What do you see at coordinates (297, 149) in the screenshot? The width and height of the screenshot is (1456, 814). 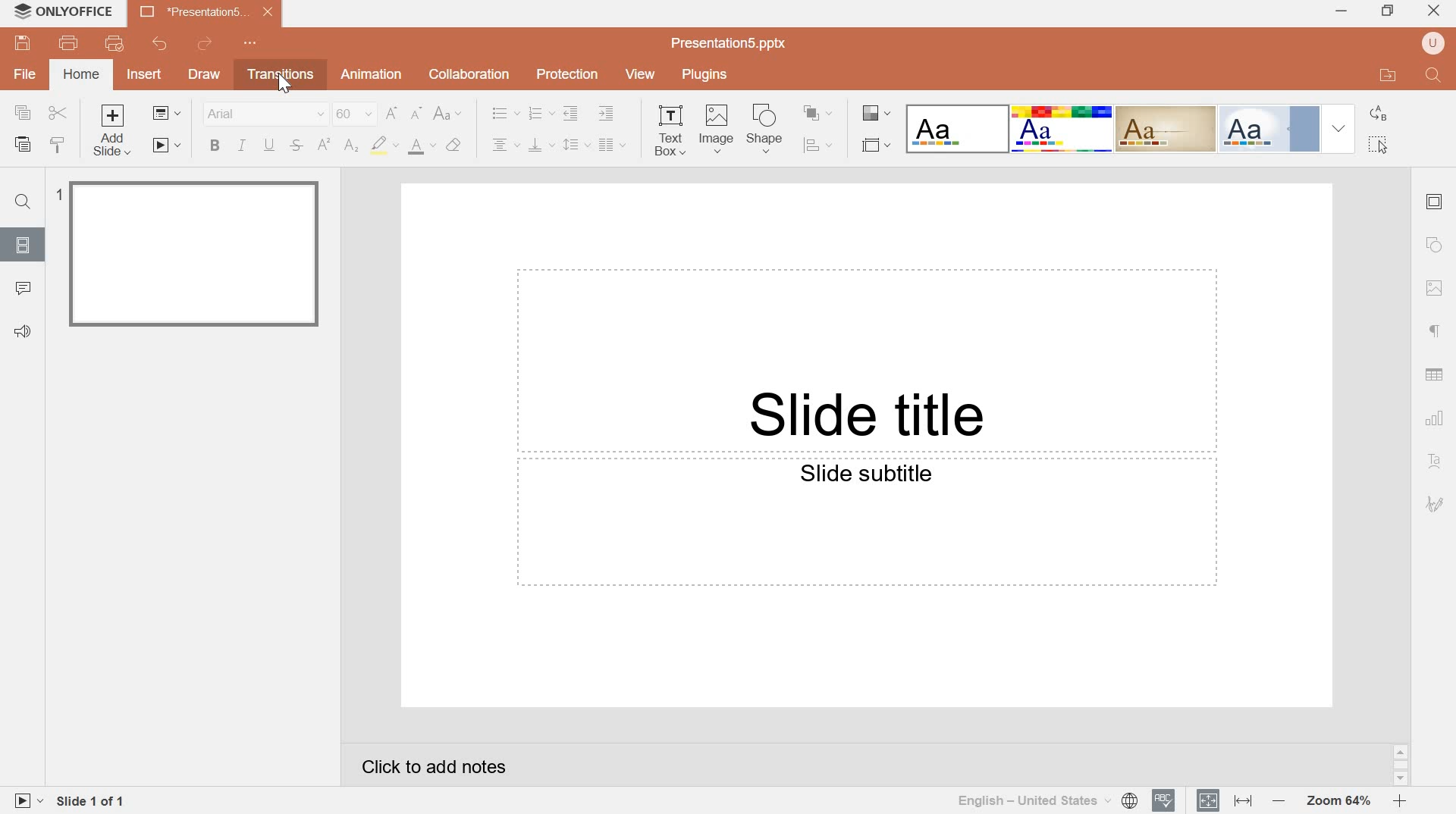 I see `strikethrough` at bounding box center [297, 149].